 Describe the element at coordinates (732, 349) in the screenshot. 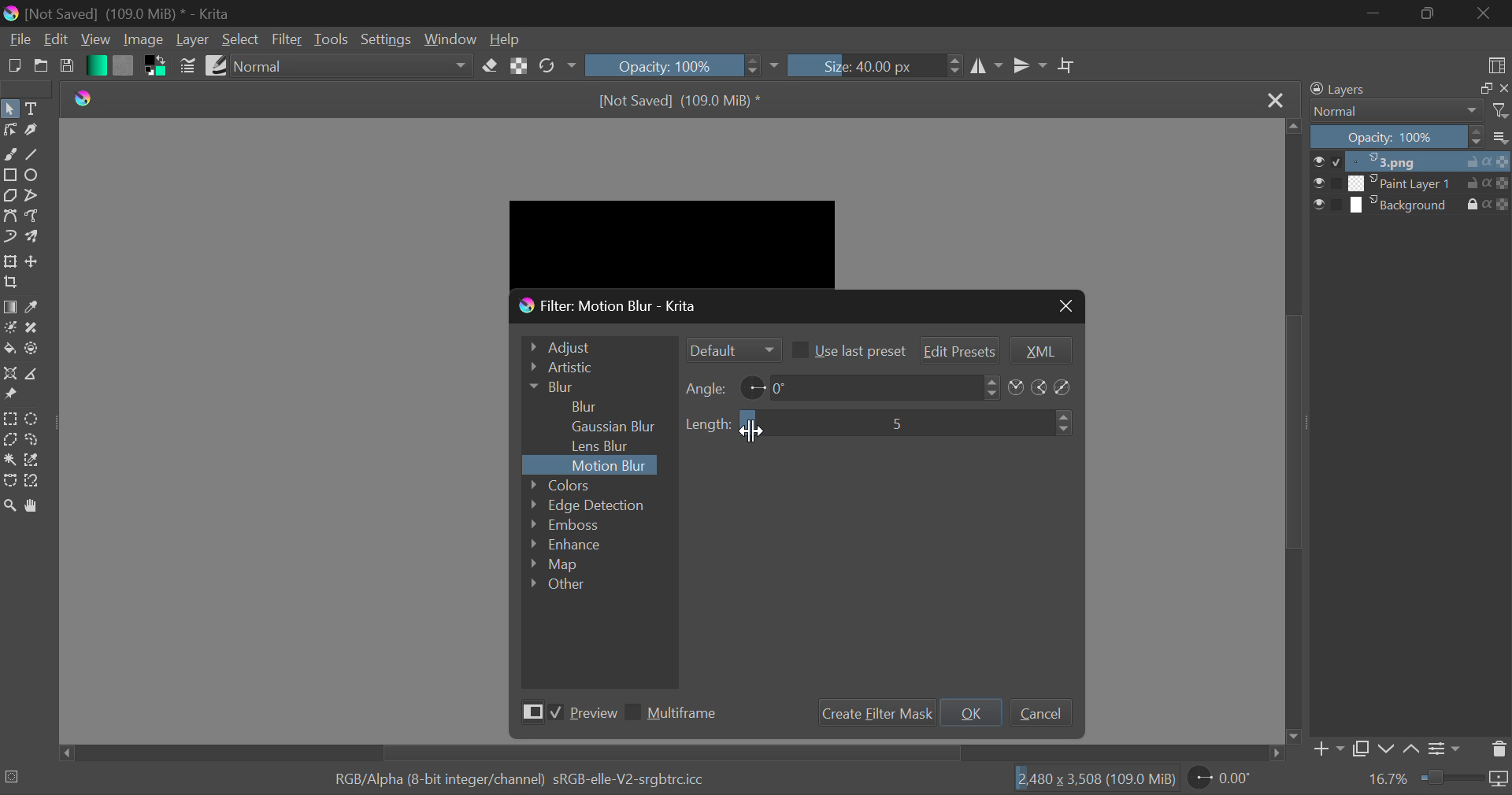

I see `Default ` at that location.